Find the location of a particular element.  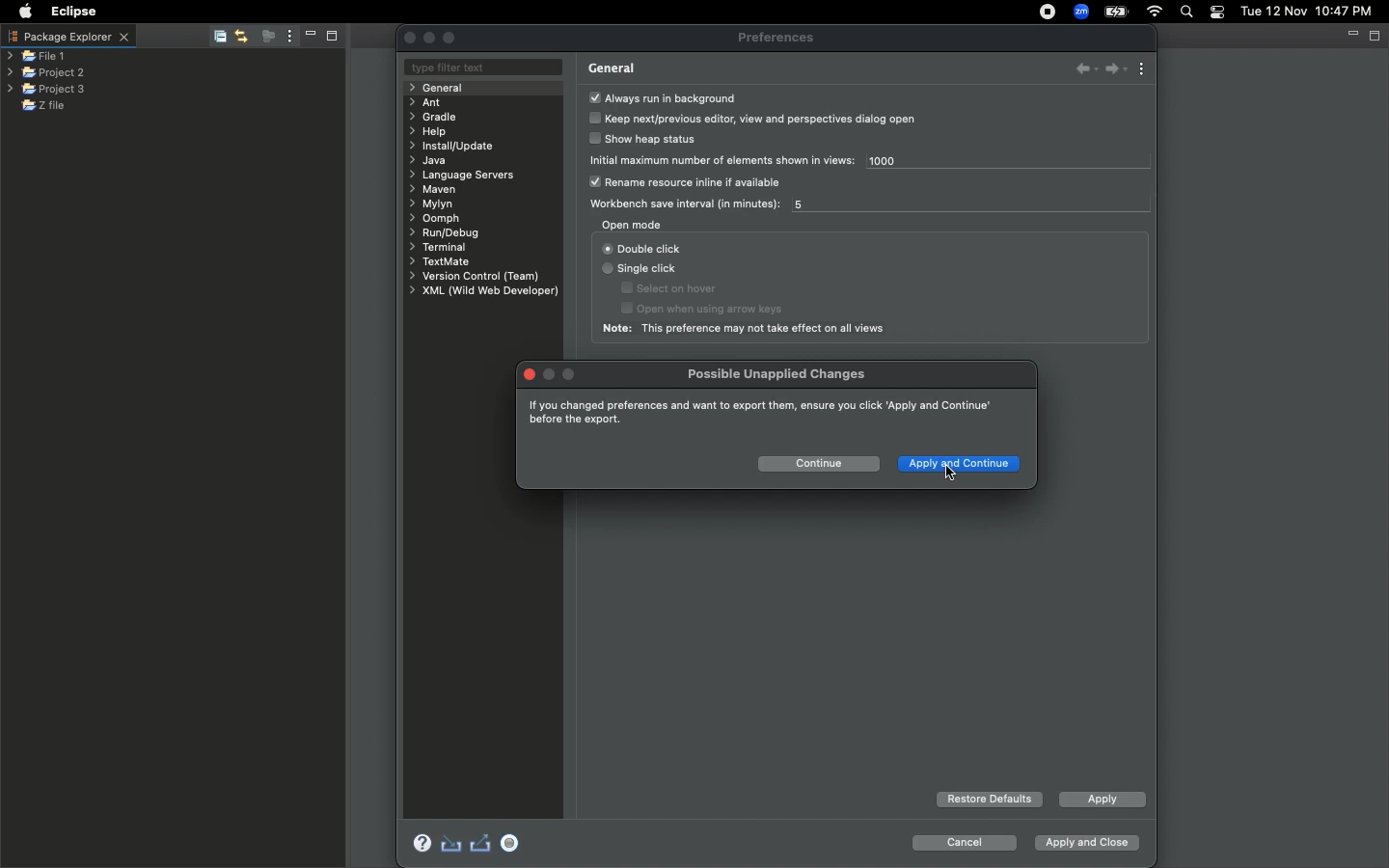

Close is located at coordinates (410, 38).